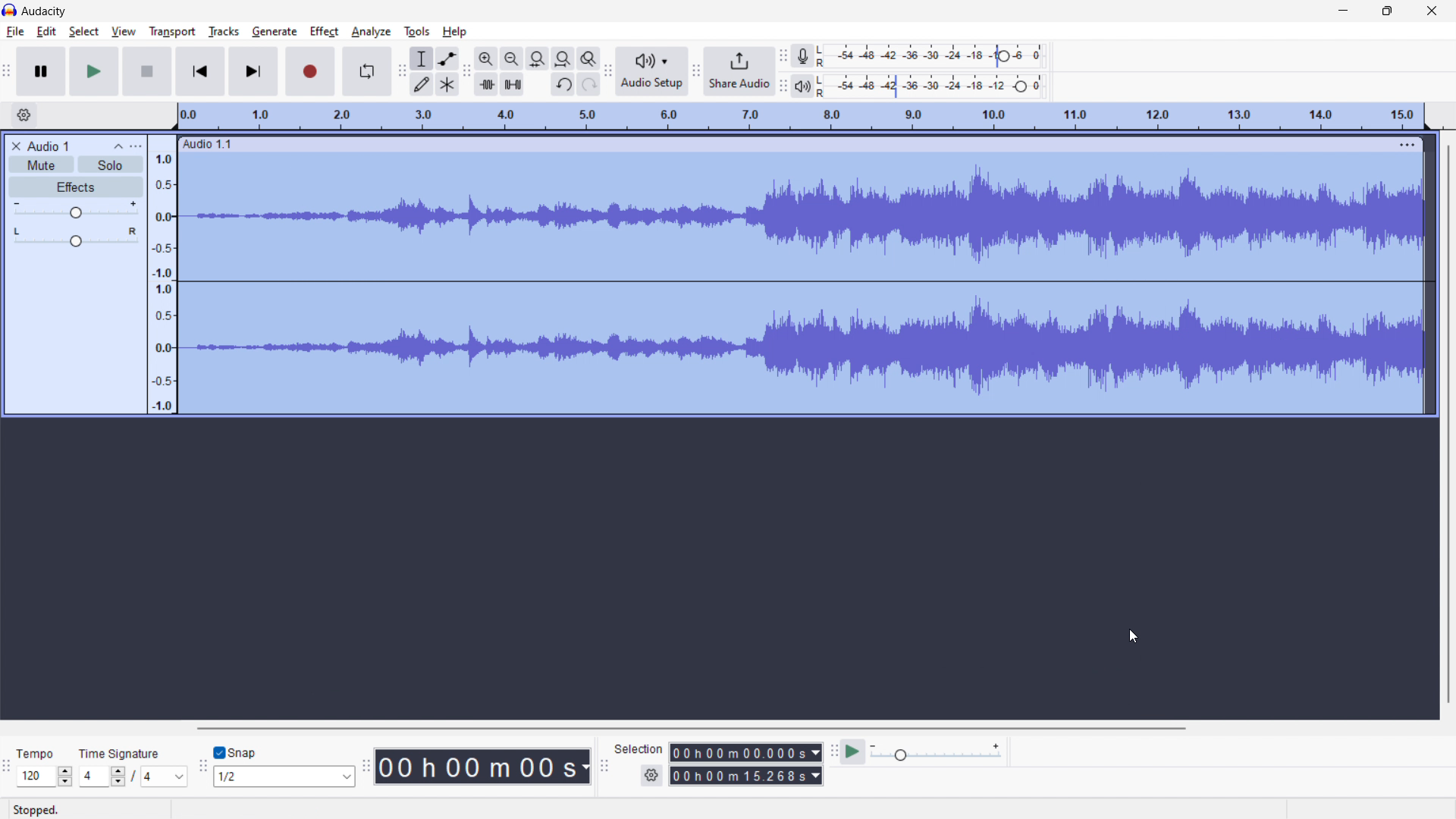  What do you see at coordinates (486, 83) in the screenshot?
I see `trim audio outside selection` at bounding box center [486, 83].